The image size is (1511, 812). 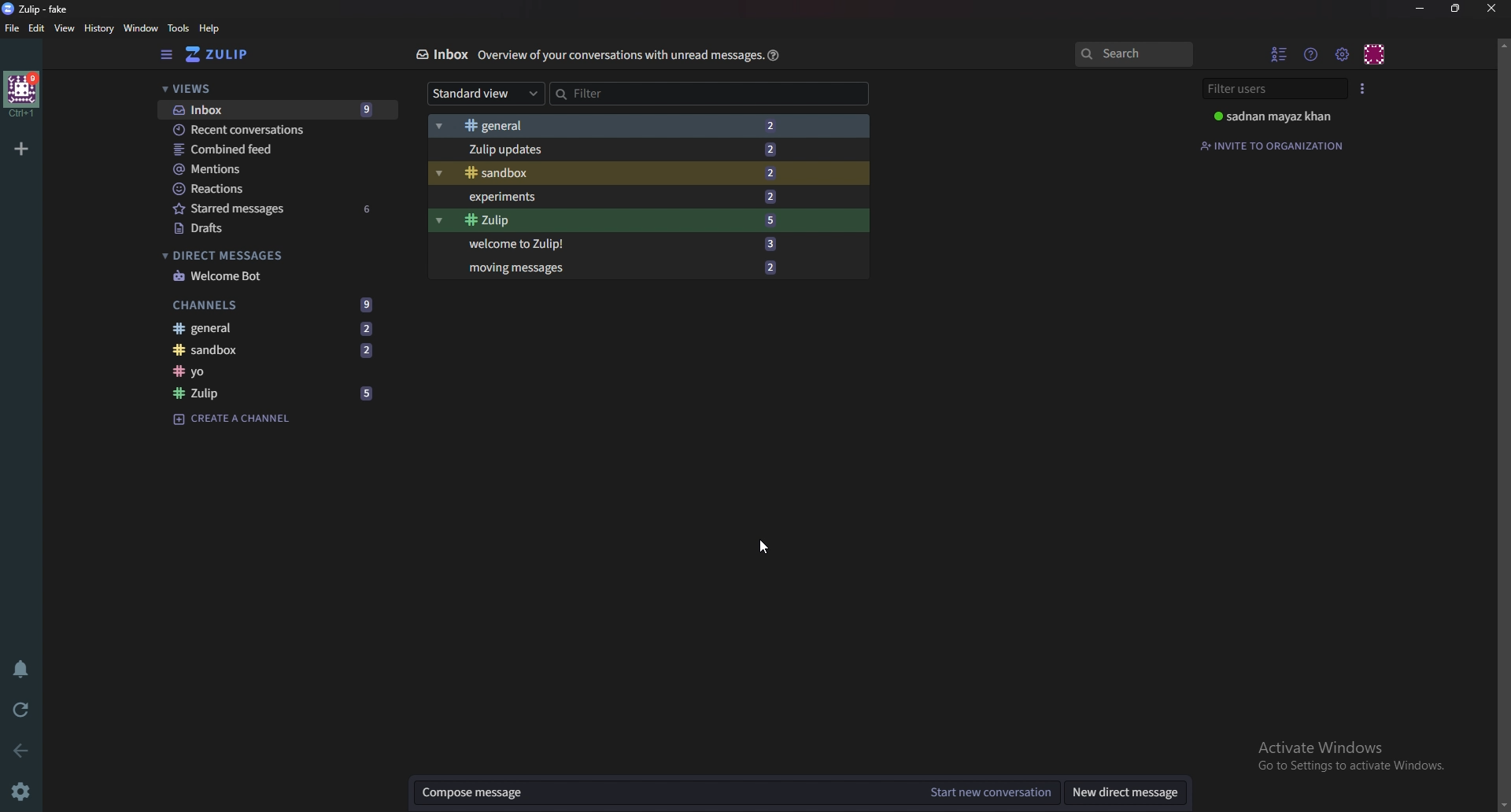 I want to click on sandbox, so click(x=652, y=174).